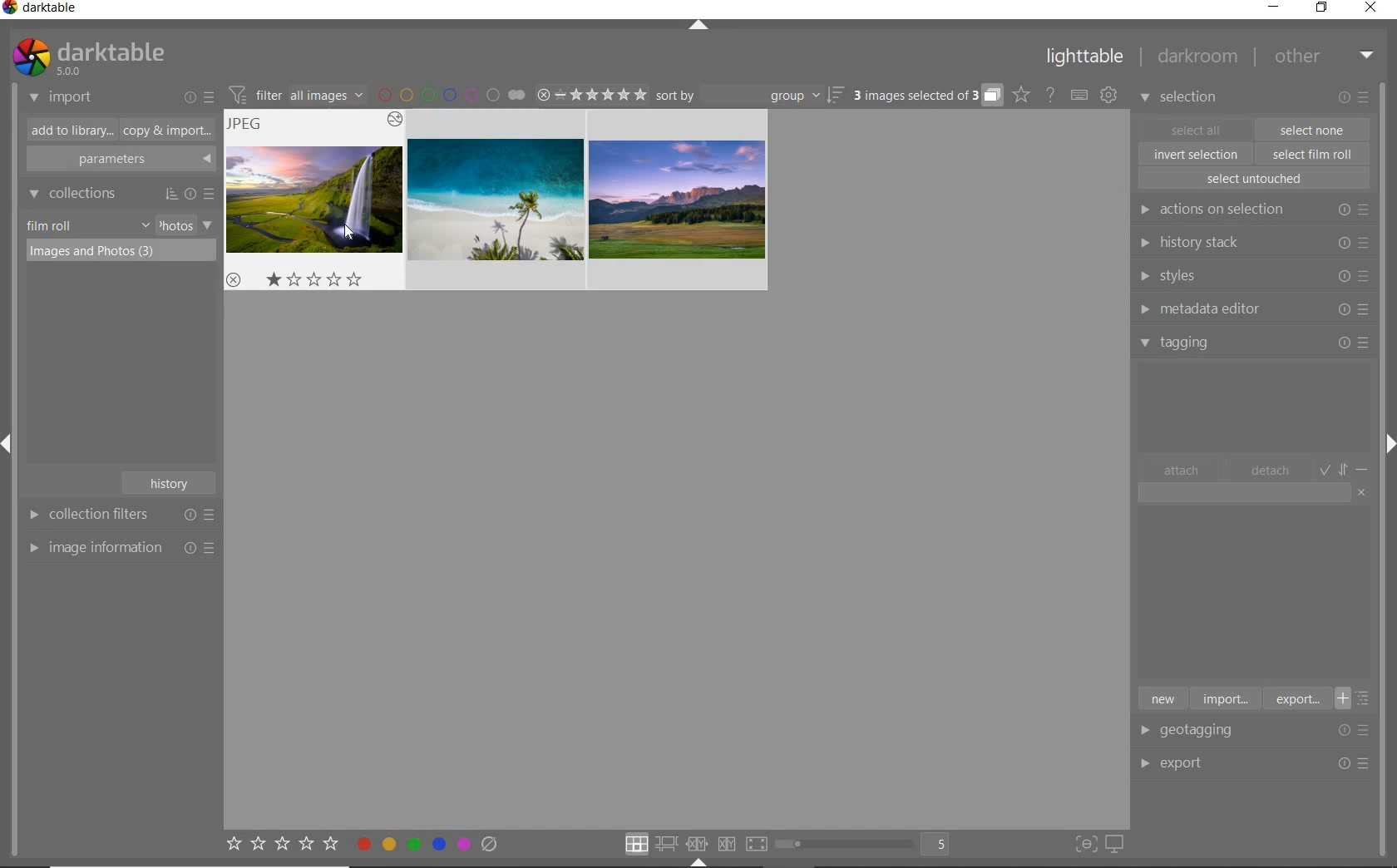  What do you see at coordinates (1108, 96) in the screenshot?
I see `show global preferences` at bounding box center [1108, 96].